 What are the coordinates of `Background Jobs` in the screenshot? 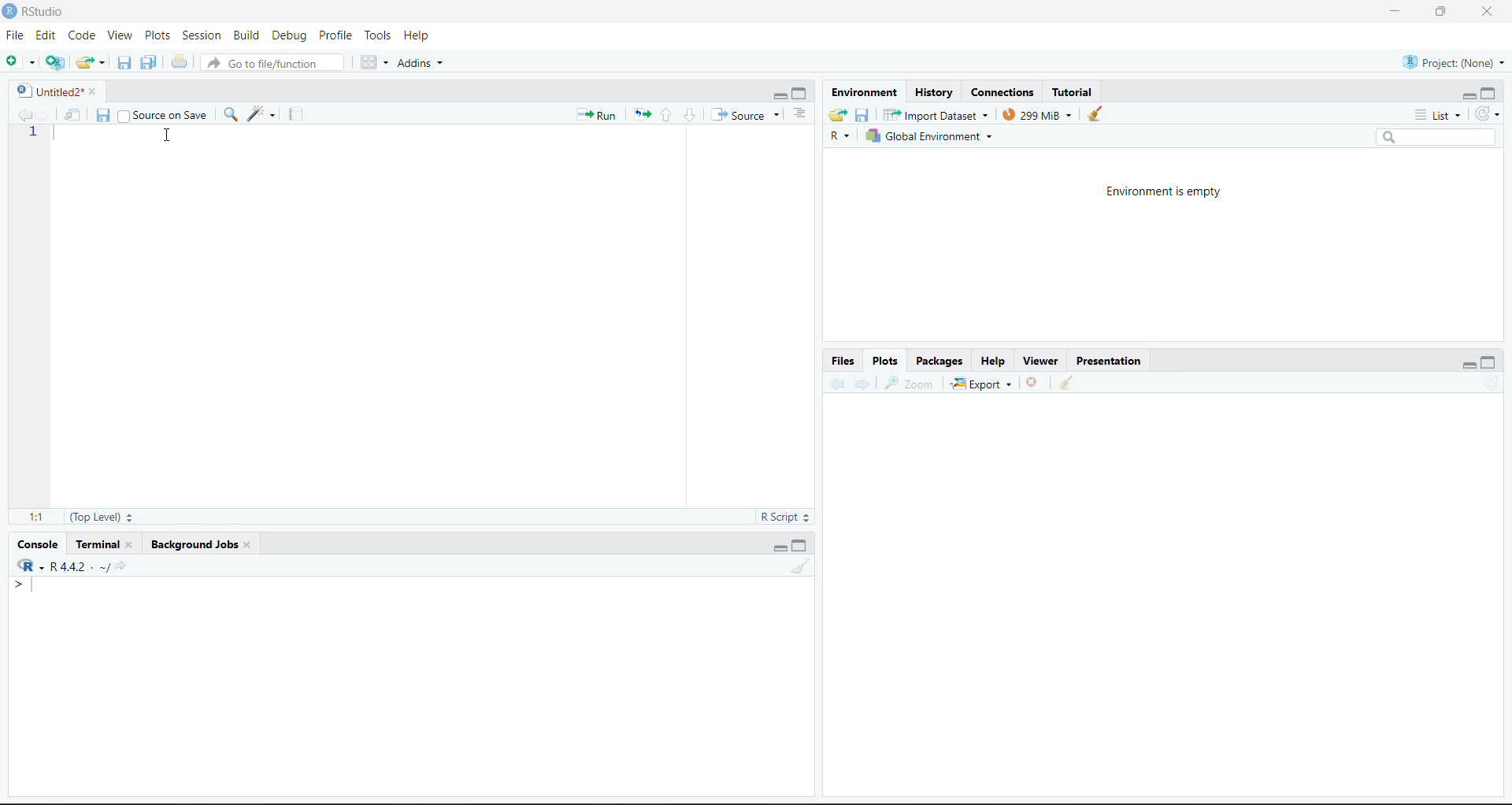 It's located at (195, 546).